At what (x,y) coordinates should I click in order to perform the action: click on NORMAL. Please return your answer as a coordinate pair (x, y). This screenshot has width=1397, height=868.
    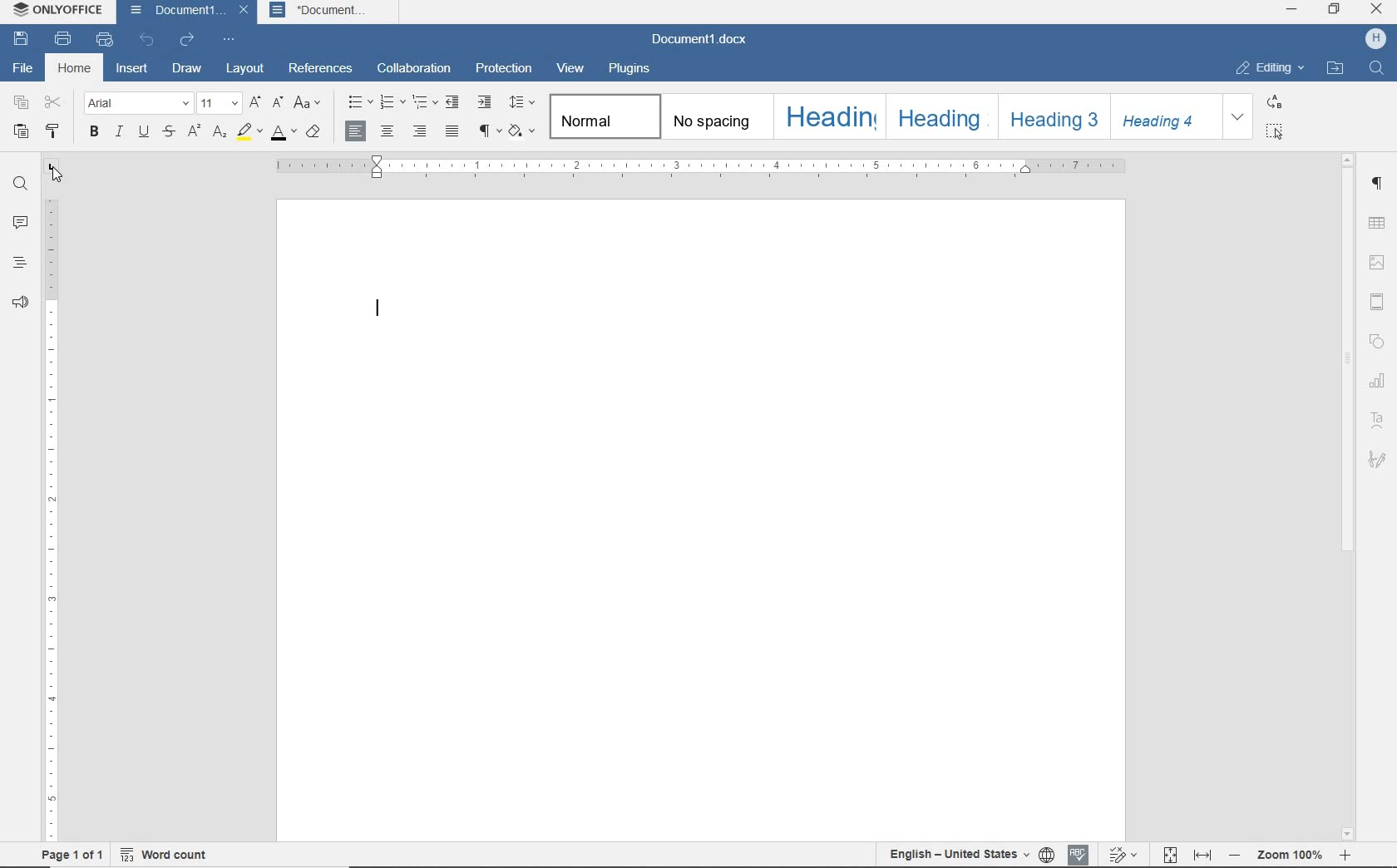
    Looking at the image, I should click on (601, 116).